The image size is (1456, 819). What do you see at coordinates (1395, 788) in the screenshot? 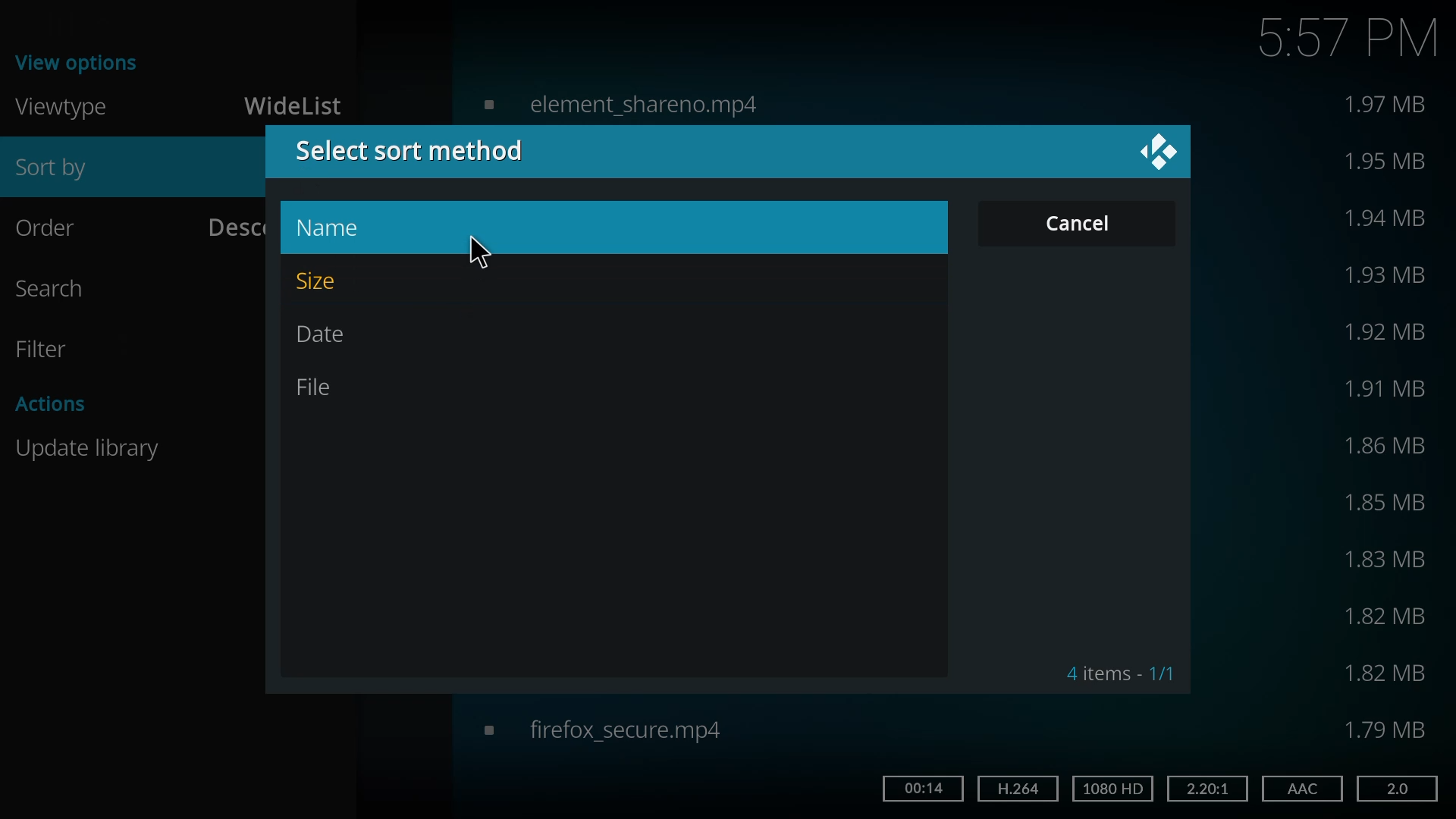
I see `2` at bounding box center [1395, 788].